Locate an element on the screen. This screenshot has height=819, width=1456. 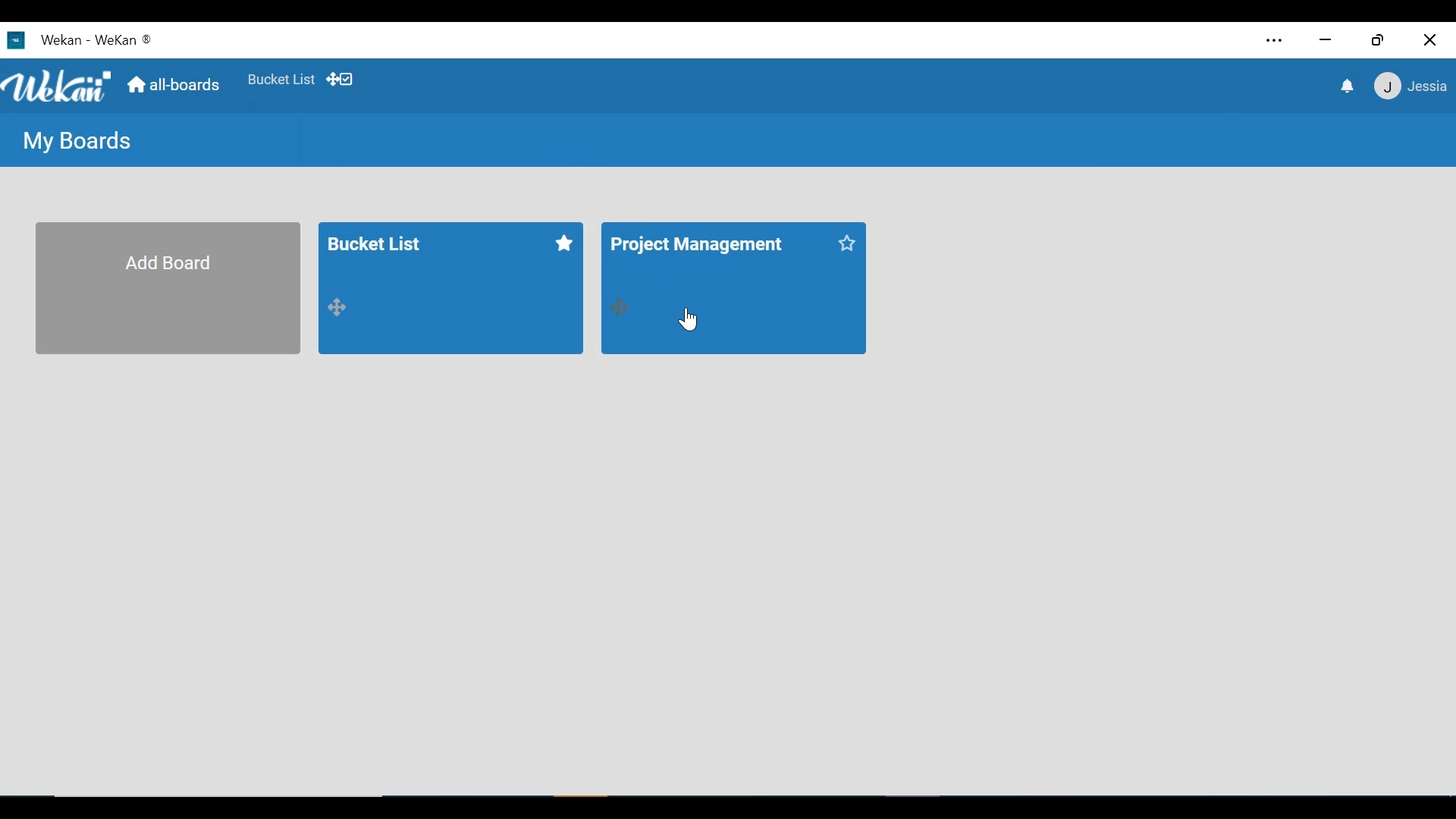
Wekan licon is located at coordinates (15, 41).